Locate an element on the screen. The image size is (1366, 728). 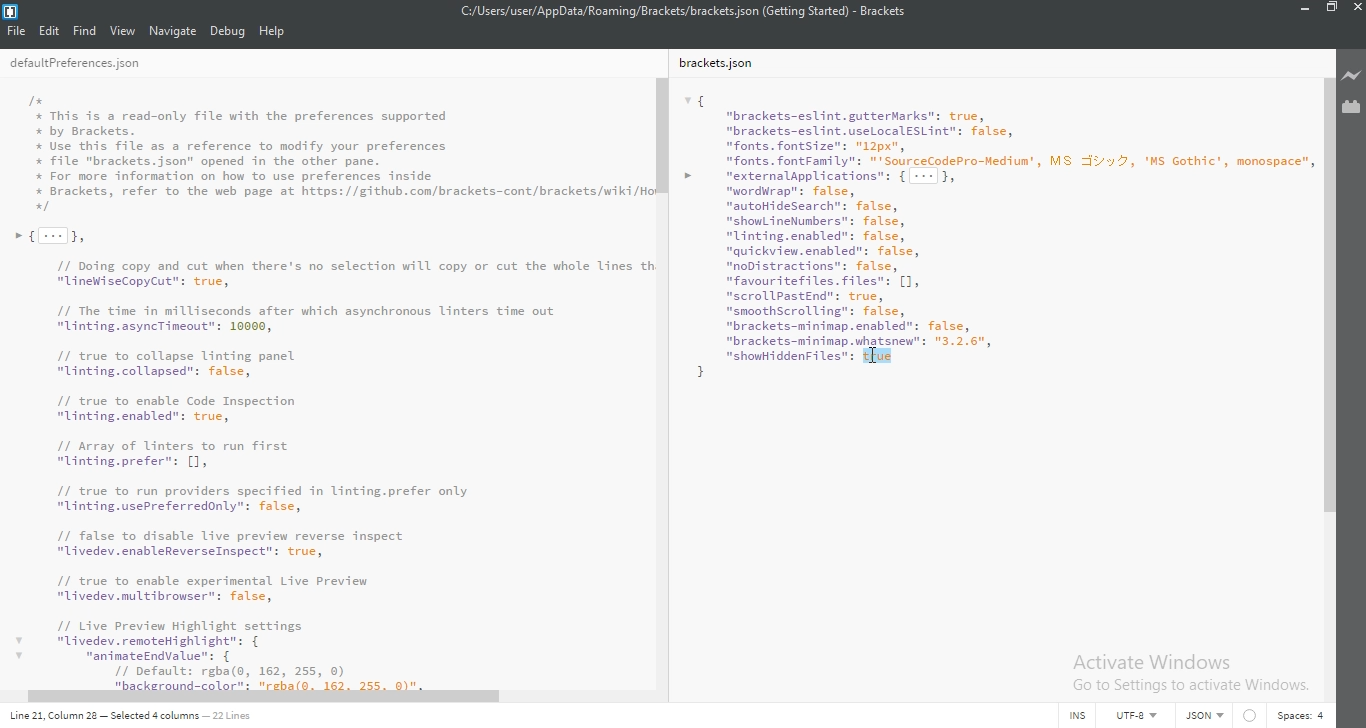
text is located at coordinates (1208, 716).